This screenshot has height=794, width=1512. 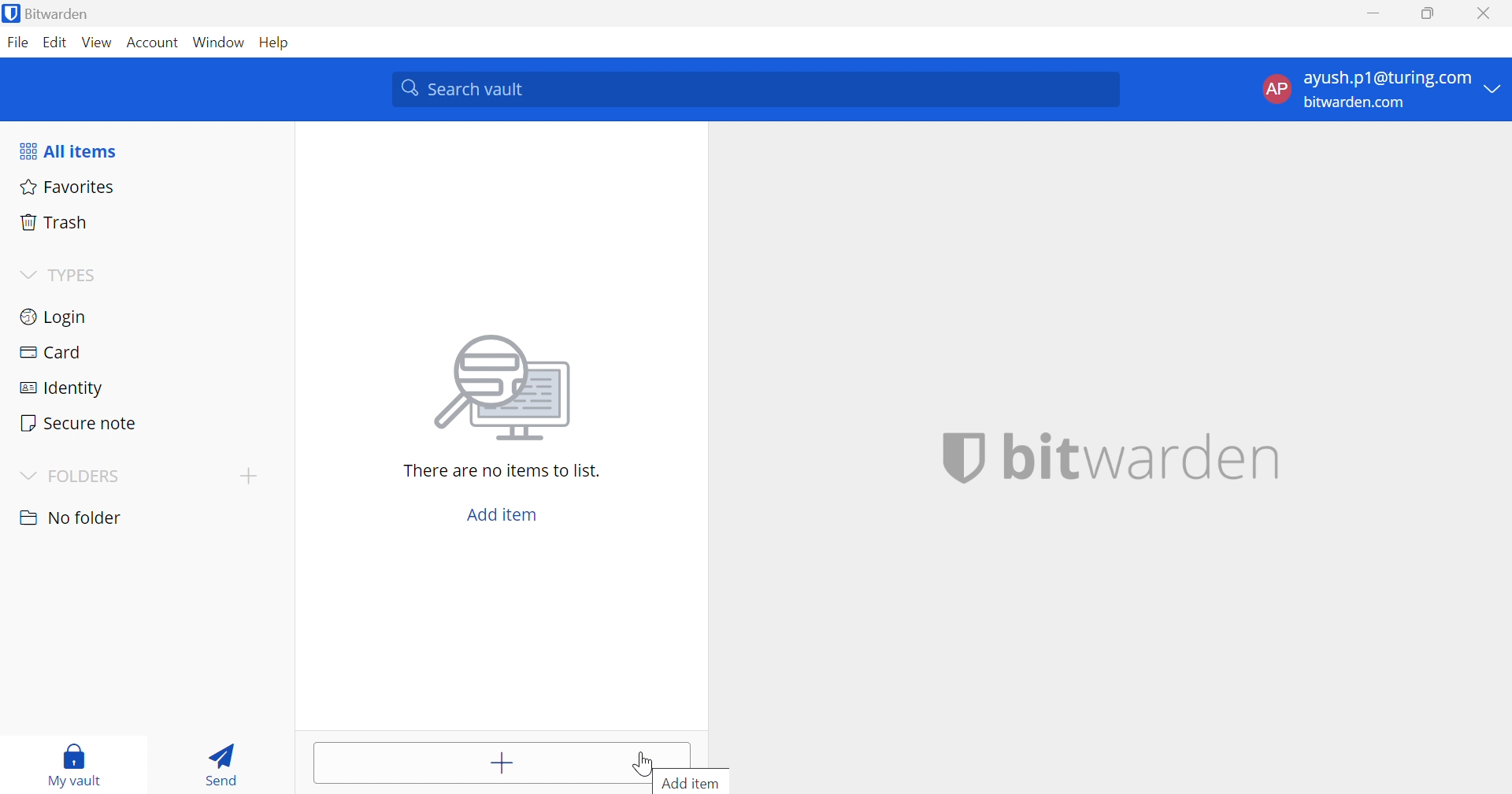 What do you see at coordinates (1358, 103) in the screenshot?
I see `bitwarden.com` at bounding box center [1358, 103].